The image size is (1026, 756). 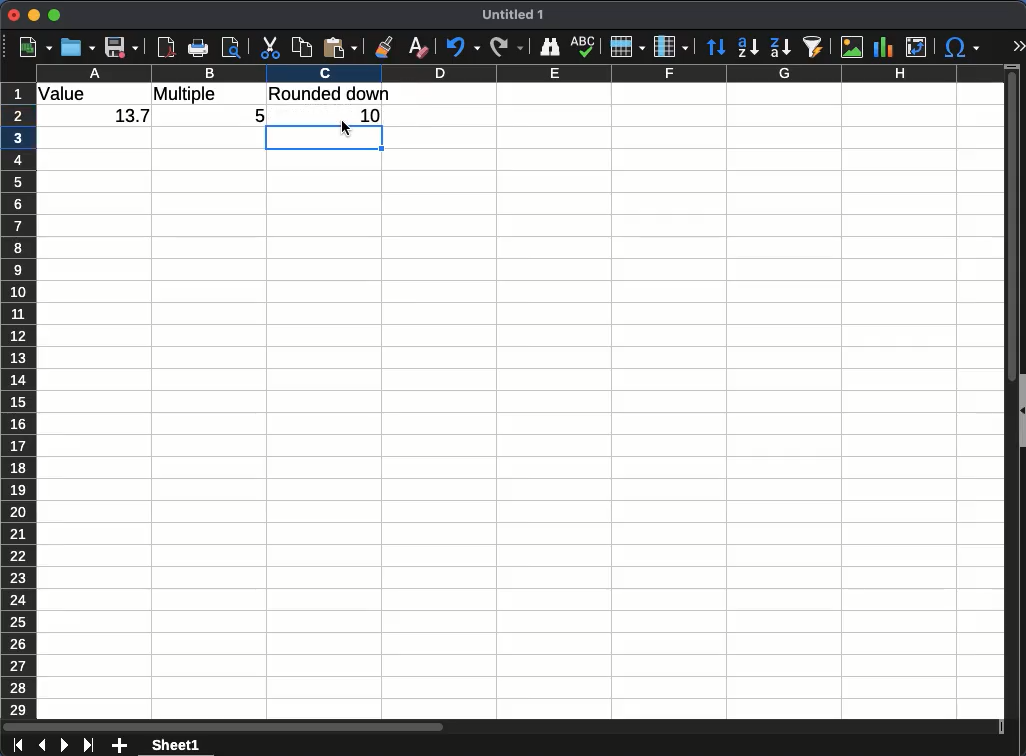 I want to click on 13.7, so click(x=128, y=118).